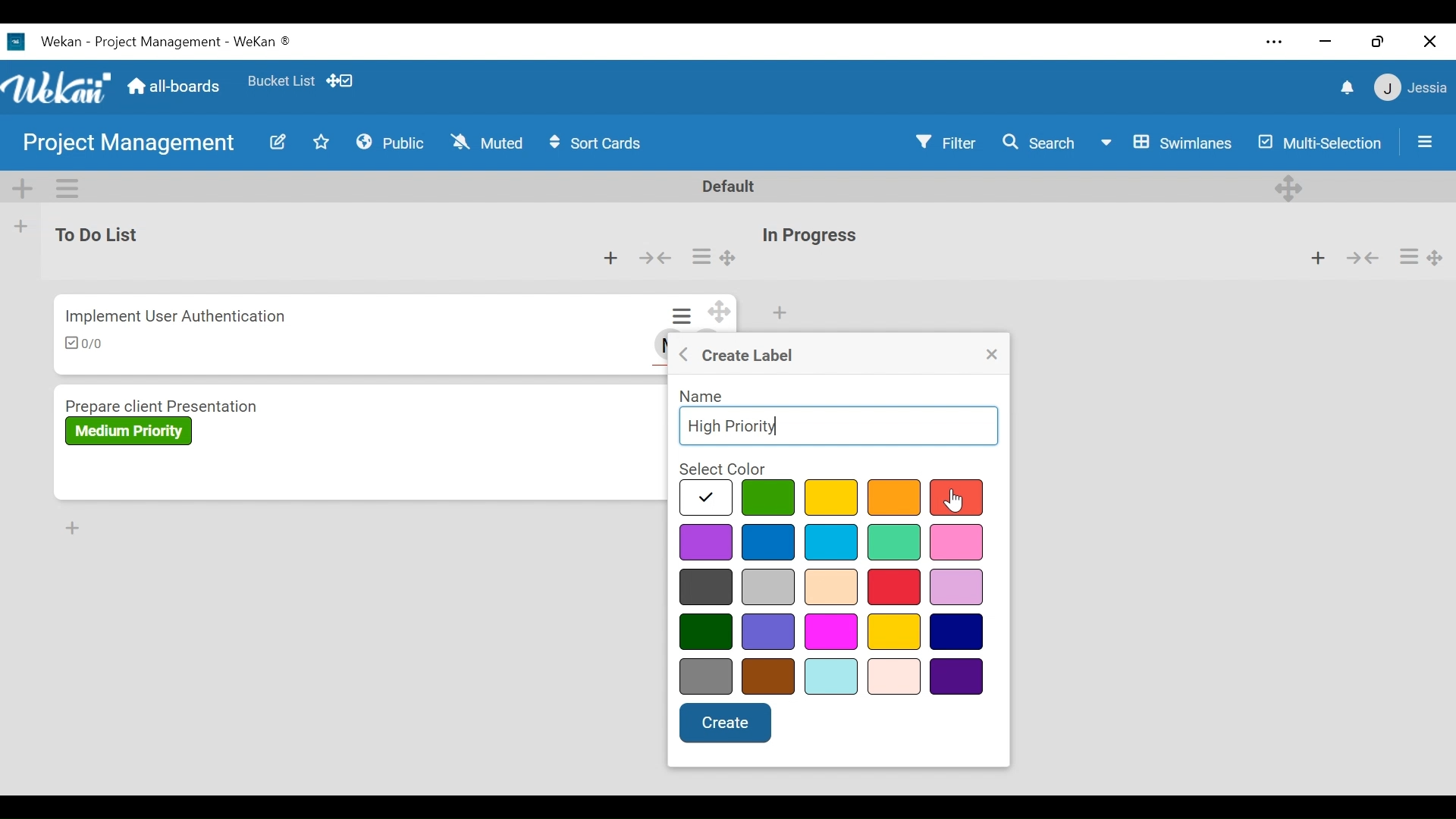 This screenshot has width=1456, height=819. I want to click on Checklist, so click(89, 344).